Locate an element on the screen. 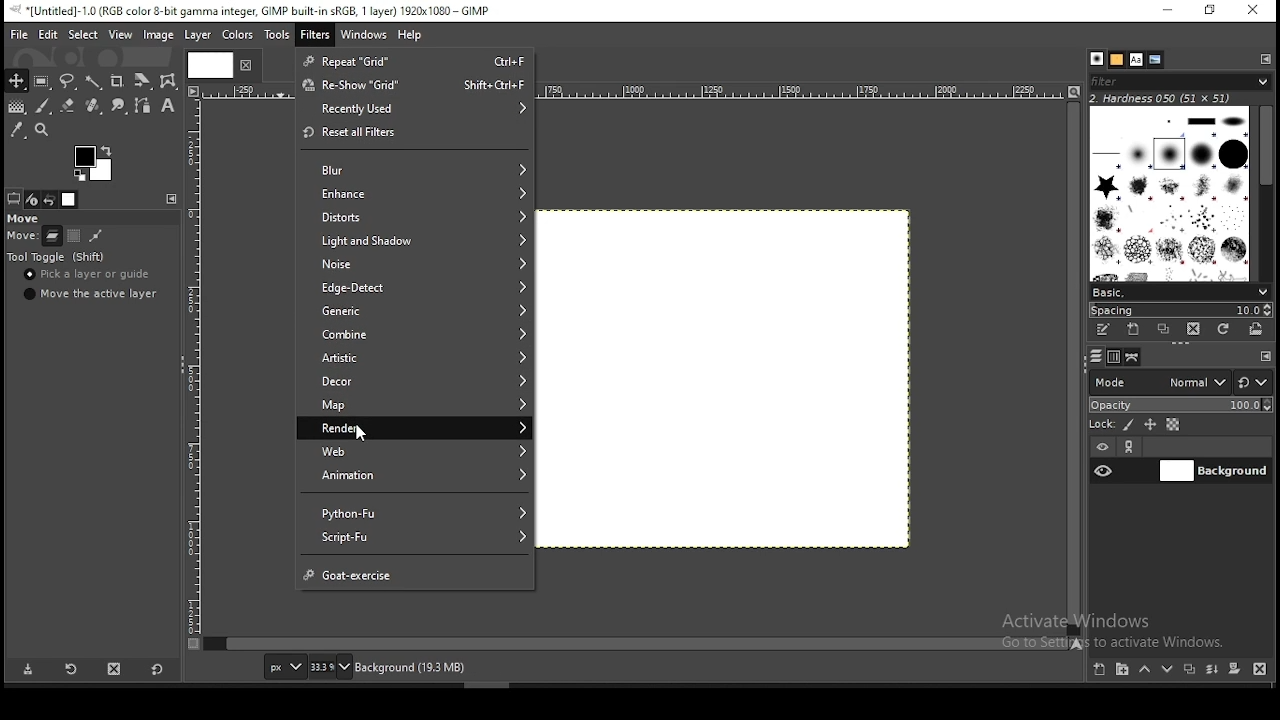 The width and height of the screenshot is (1280, 720). lock is located at coordinates (1101, 424).